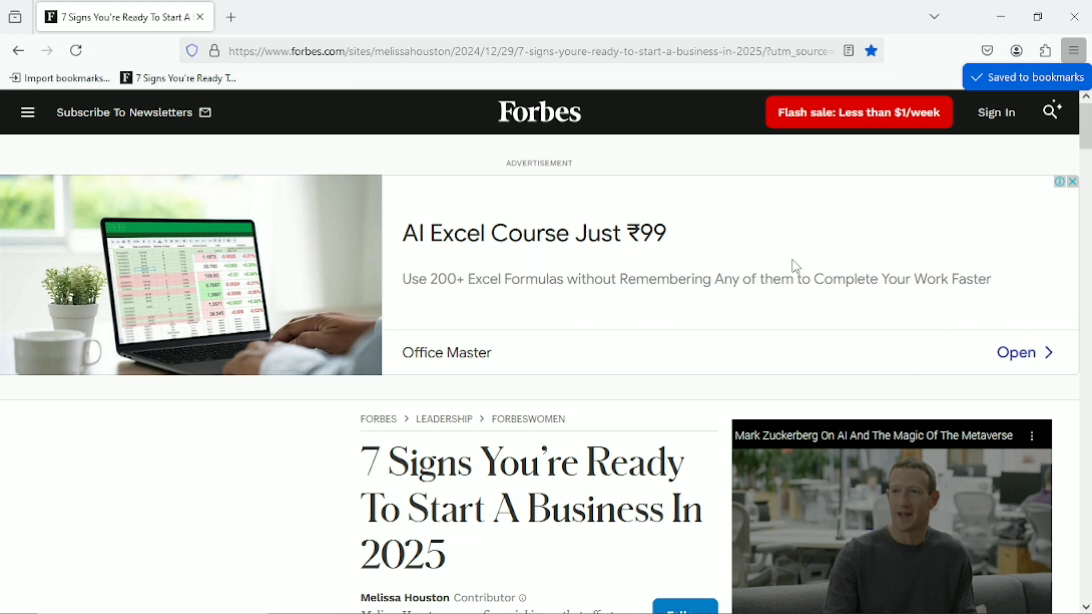 Image resolution: width=1092 pixels, height=614 pixels. I want to click on Saved to bookmarks, so click(1026, 79).